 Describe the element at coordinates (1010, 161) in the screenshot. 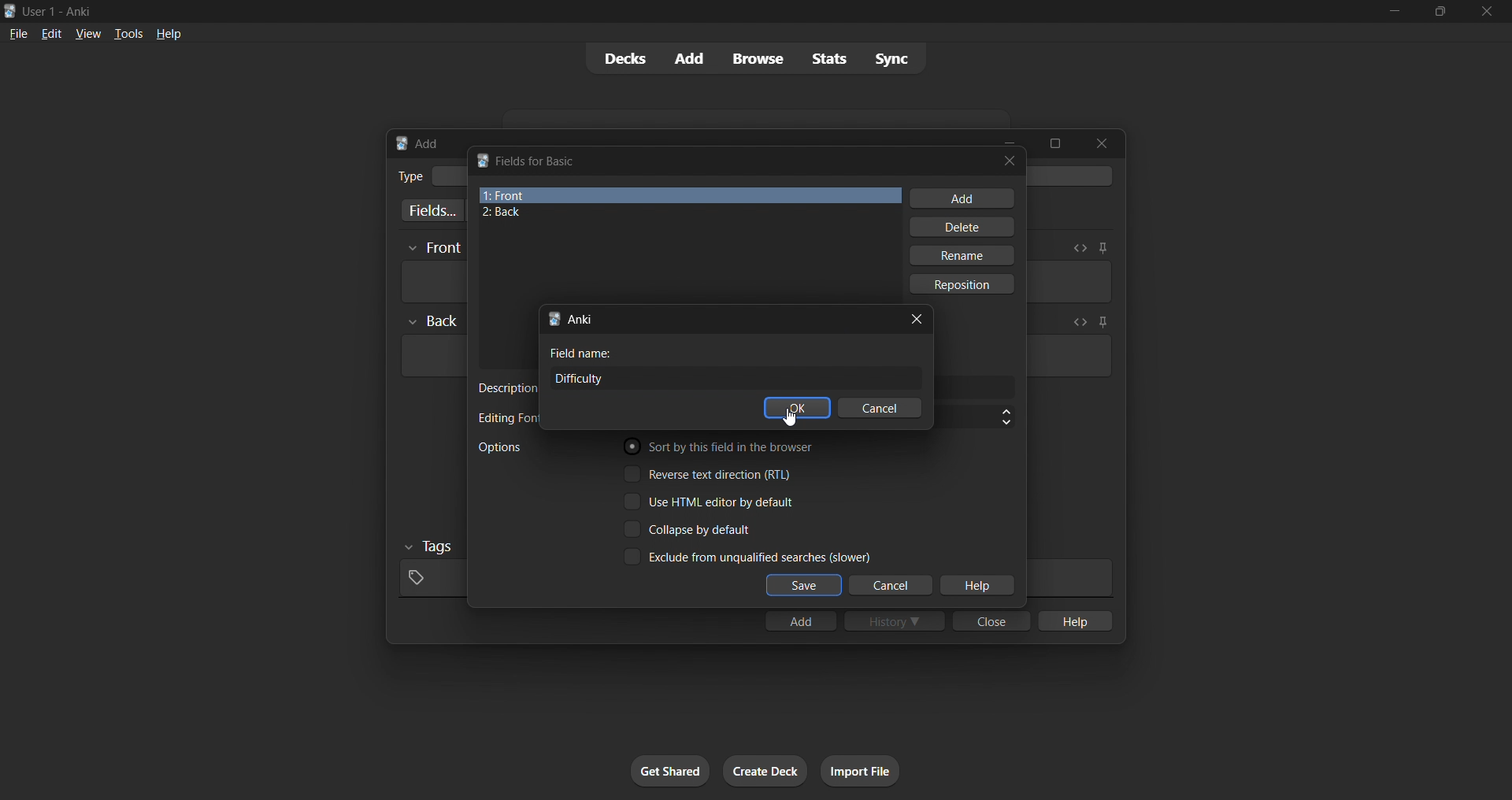

I see `close` at that location.